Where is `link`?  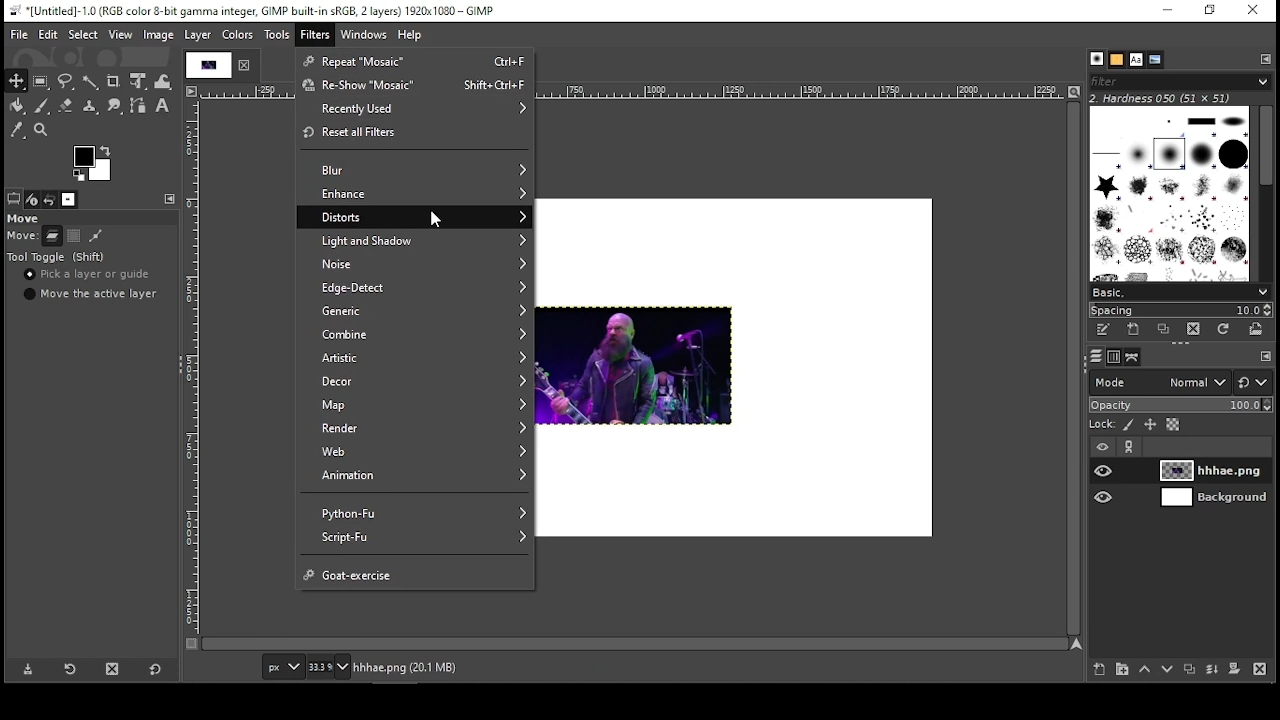 link is located at coordinates (1131, 447).